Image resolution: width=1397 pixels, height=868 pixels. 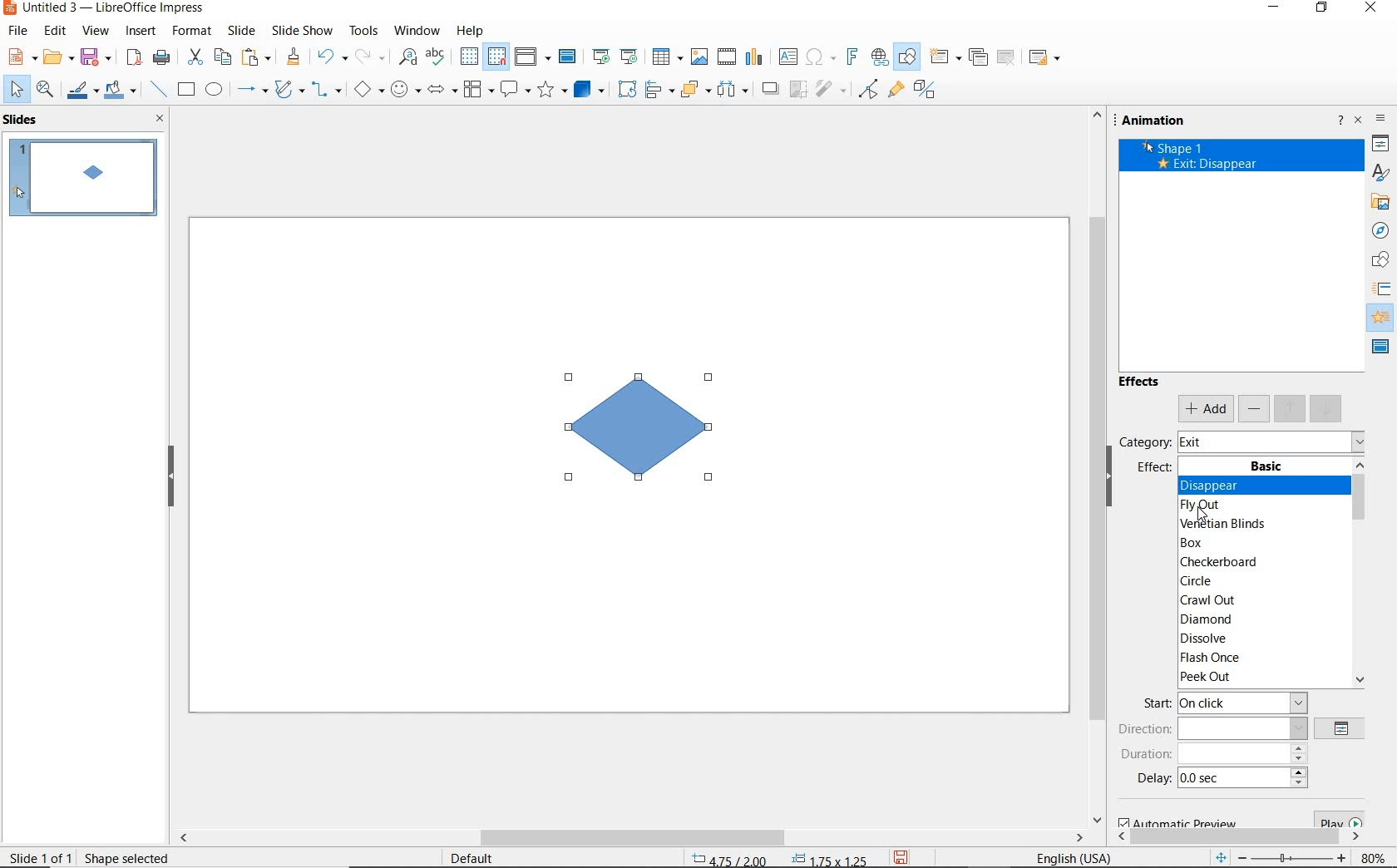 What do you see at coordinates (880, 60) in the screenshot?
I see `insert hyperlink` at bounding box center [880, 60].